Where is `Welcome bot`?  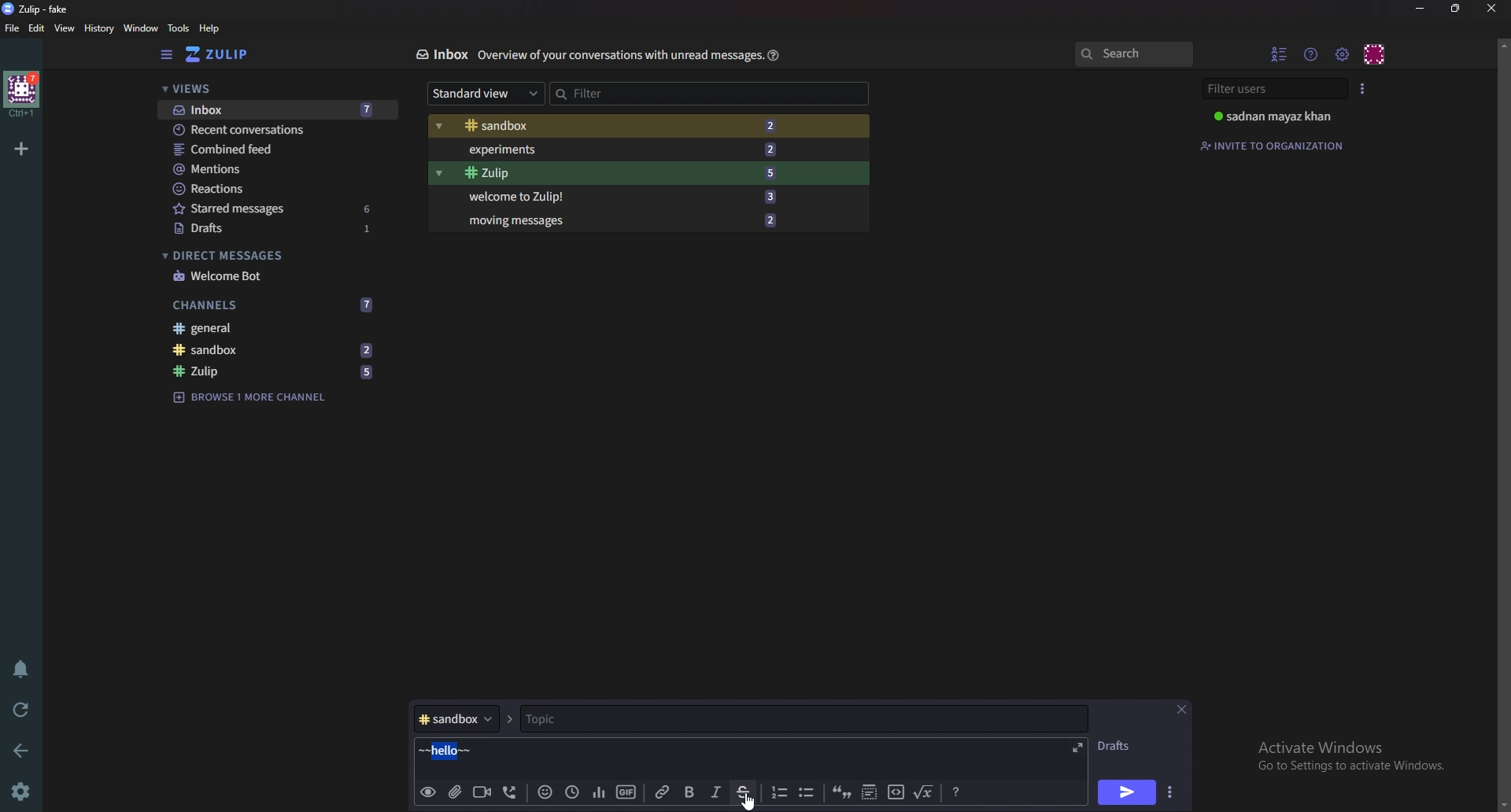 Welcome bot is located at coordinates (274, 275).